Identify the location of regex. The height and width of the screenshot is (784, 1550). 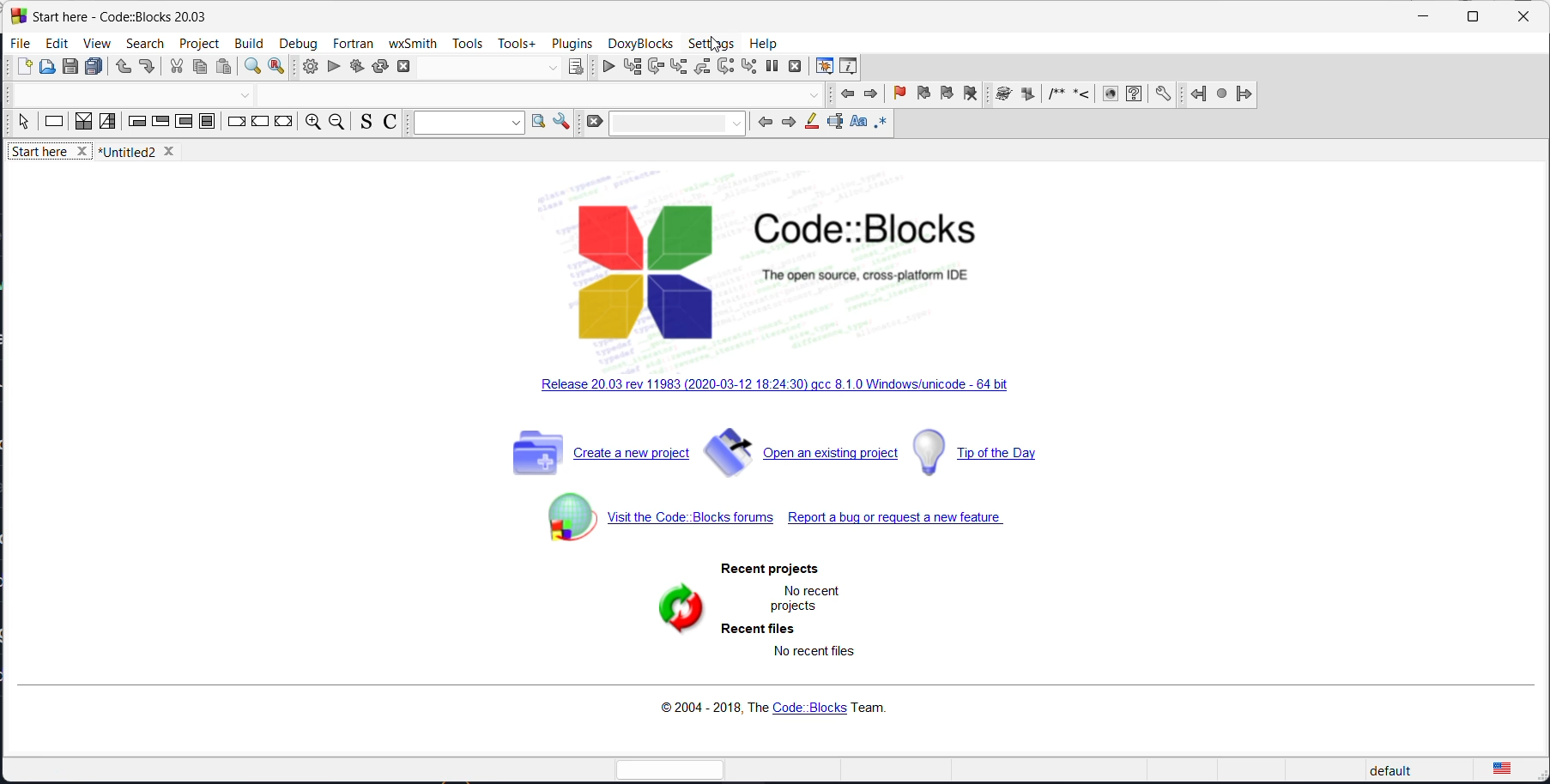
(881, 124).